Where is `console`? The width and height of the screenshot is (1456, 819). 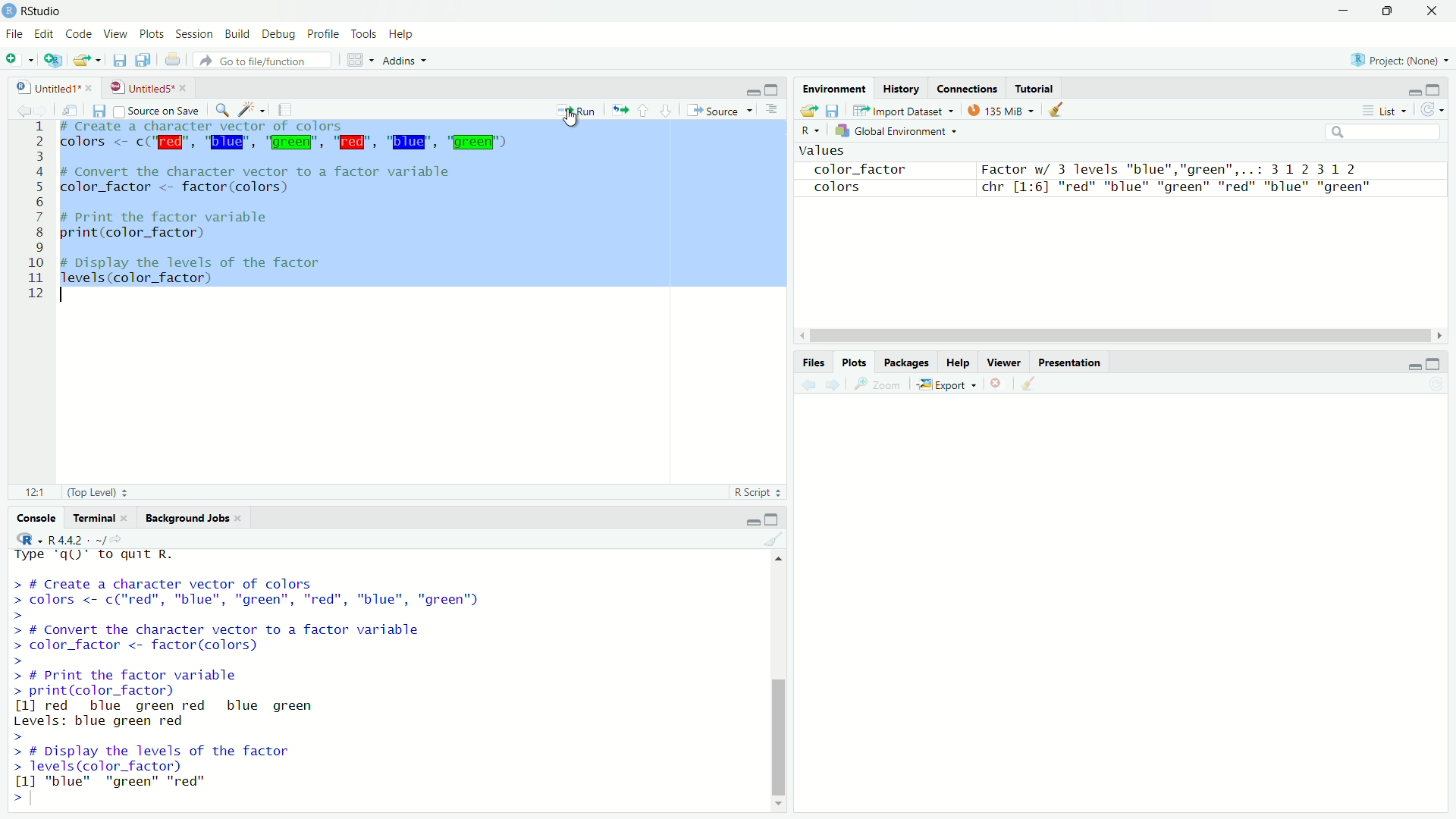
console is located at coordinates (31, 517).